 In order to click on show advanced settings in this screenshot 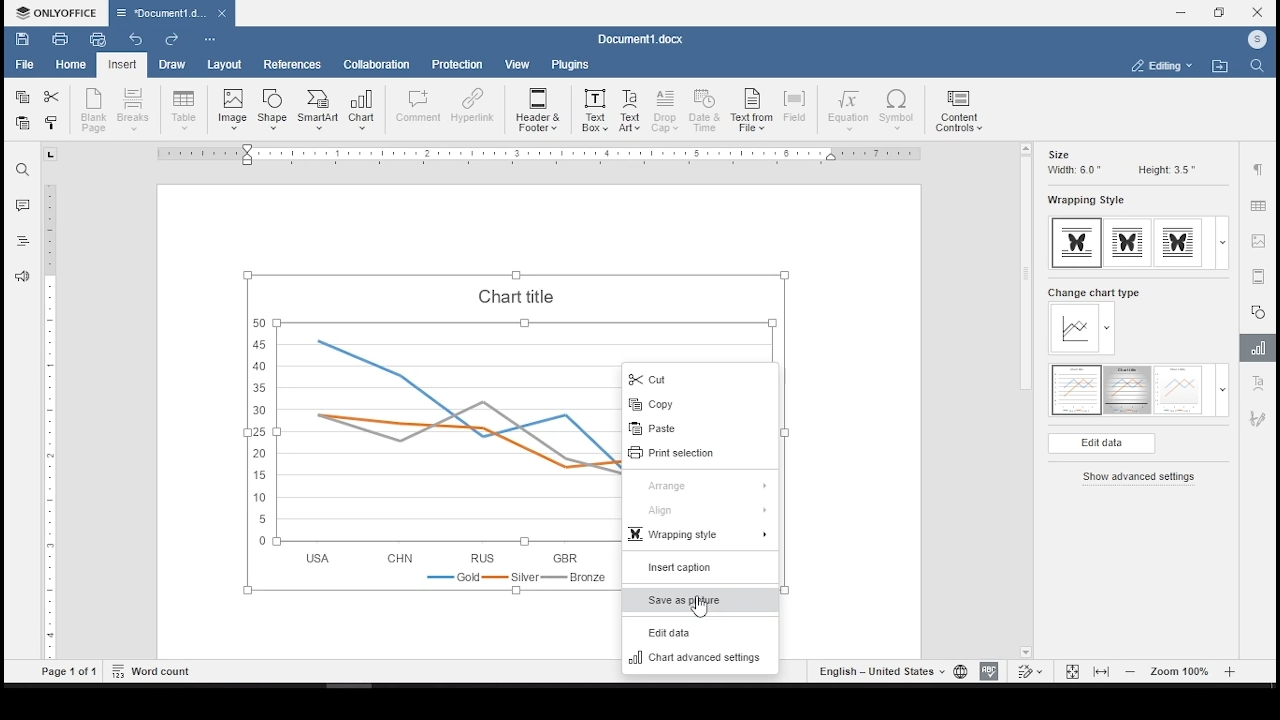, I will do `click(1143, 478)`.